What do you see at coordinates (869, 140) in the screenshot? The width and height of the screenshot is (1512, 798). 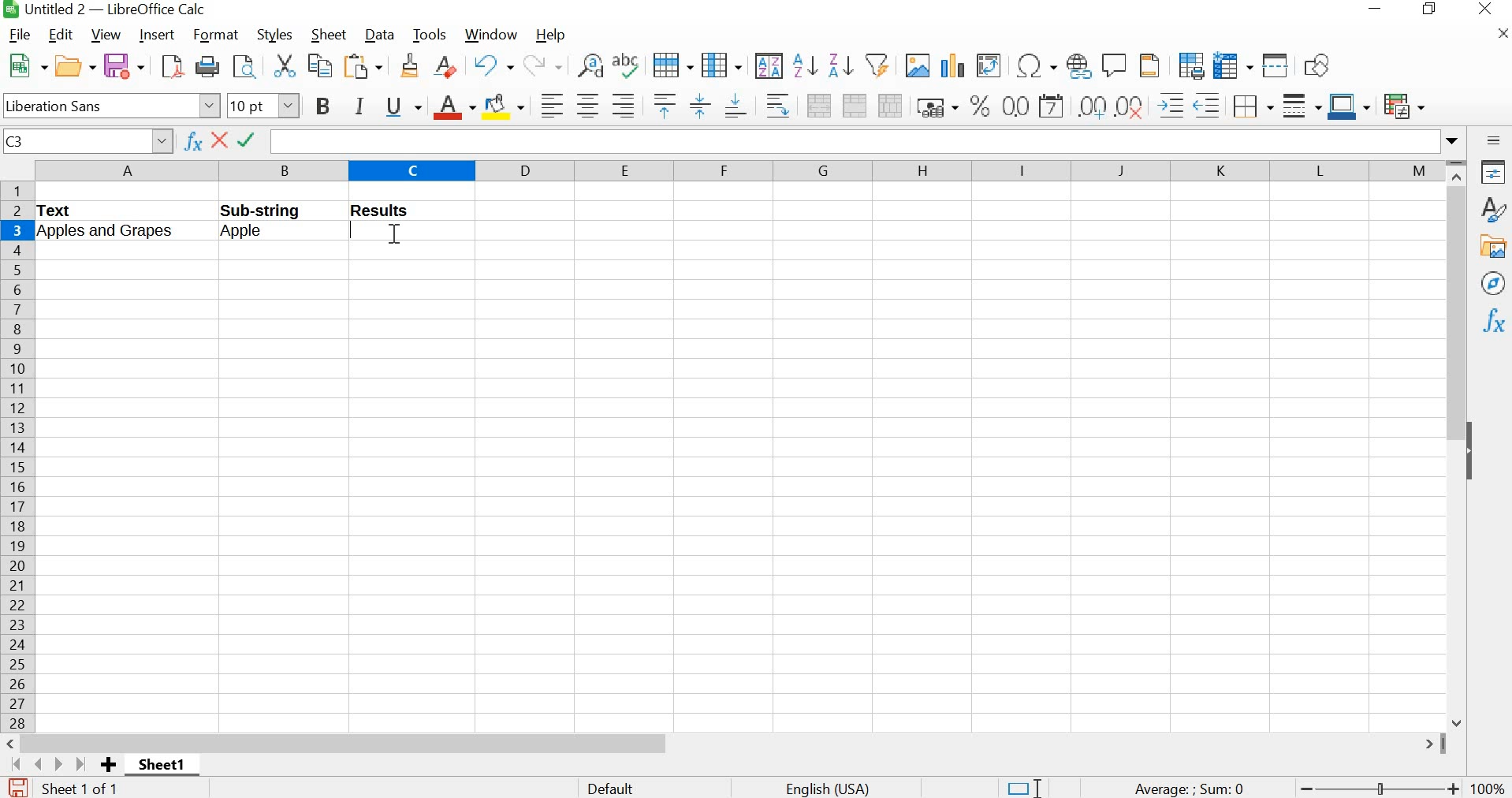 I see `expand formula bar` at bounding box center [869, 140].